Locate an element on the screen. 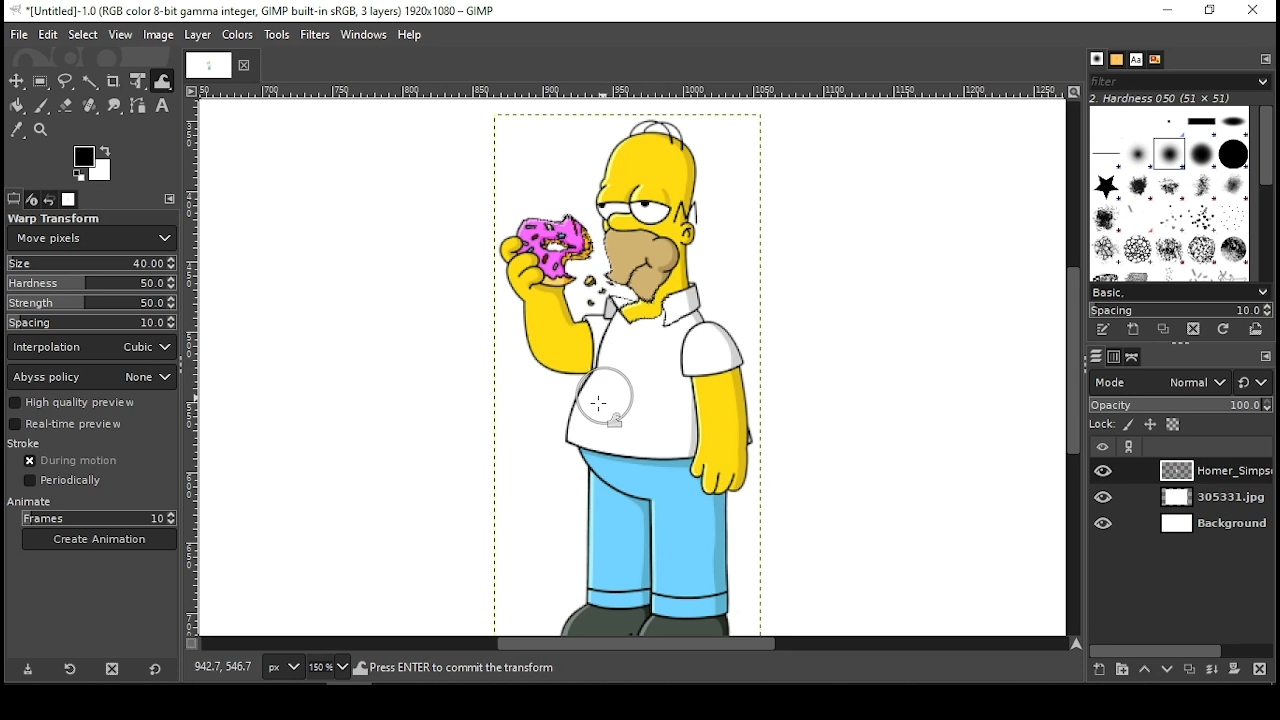 This screenshot has height=720, width=1280. layer 2 is located at coordinates (1215, 498).